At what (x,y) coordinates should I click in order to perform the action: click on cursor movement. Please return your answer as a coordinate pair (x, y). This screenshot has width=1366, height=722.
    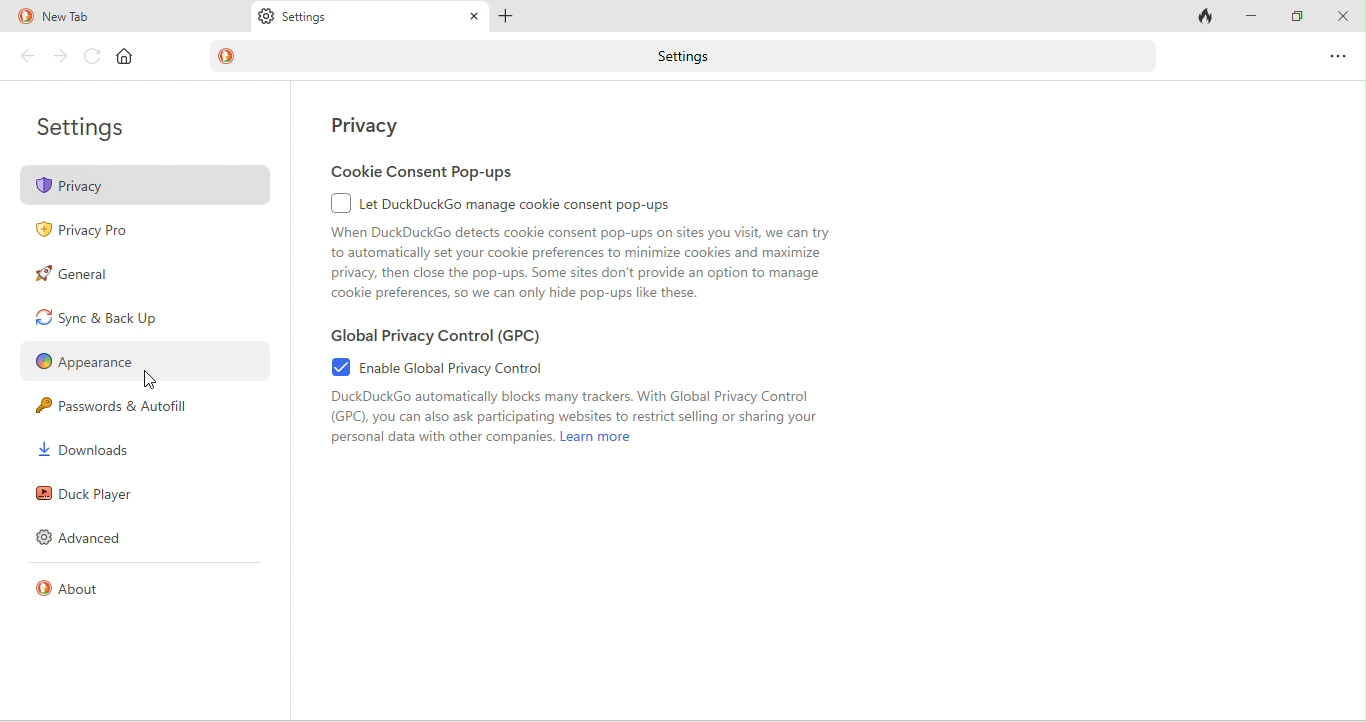
    Looking at the image, I should click on (152, 380).